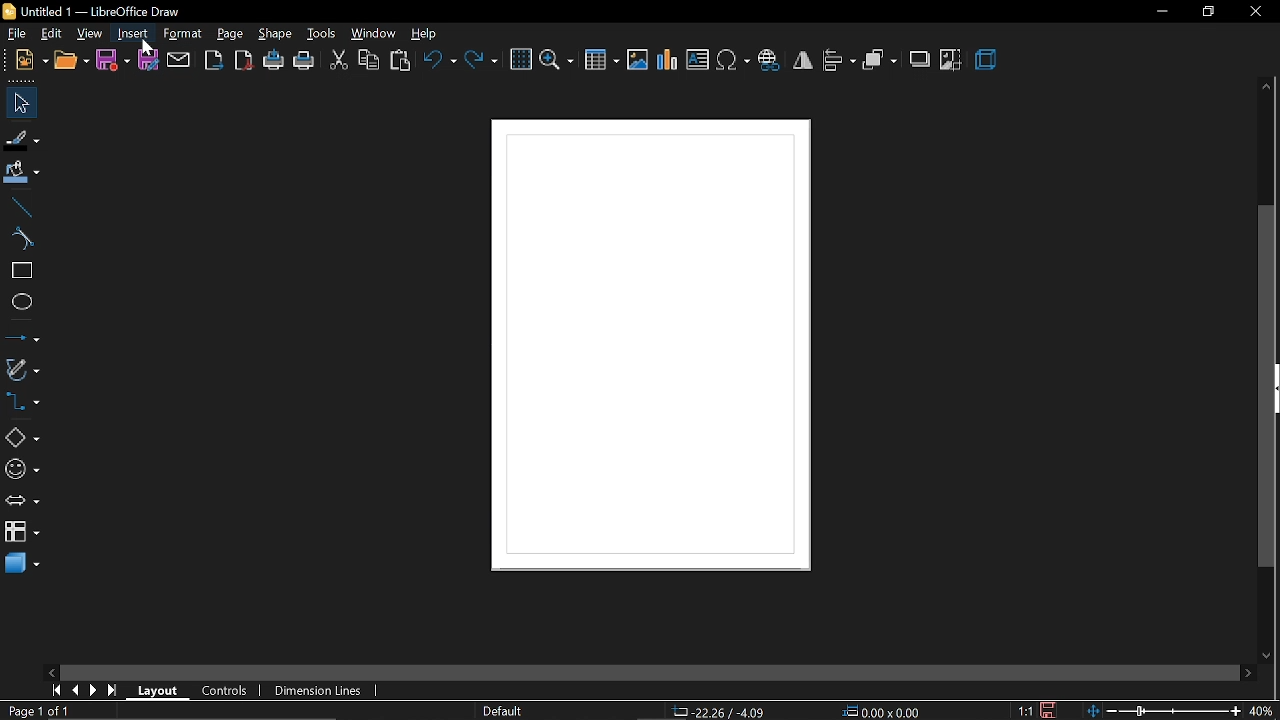  I want to click on insert, so click(133, 35).